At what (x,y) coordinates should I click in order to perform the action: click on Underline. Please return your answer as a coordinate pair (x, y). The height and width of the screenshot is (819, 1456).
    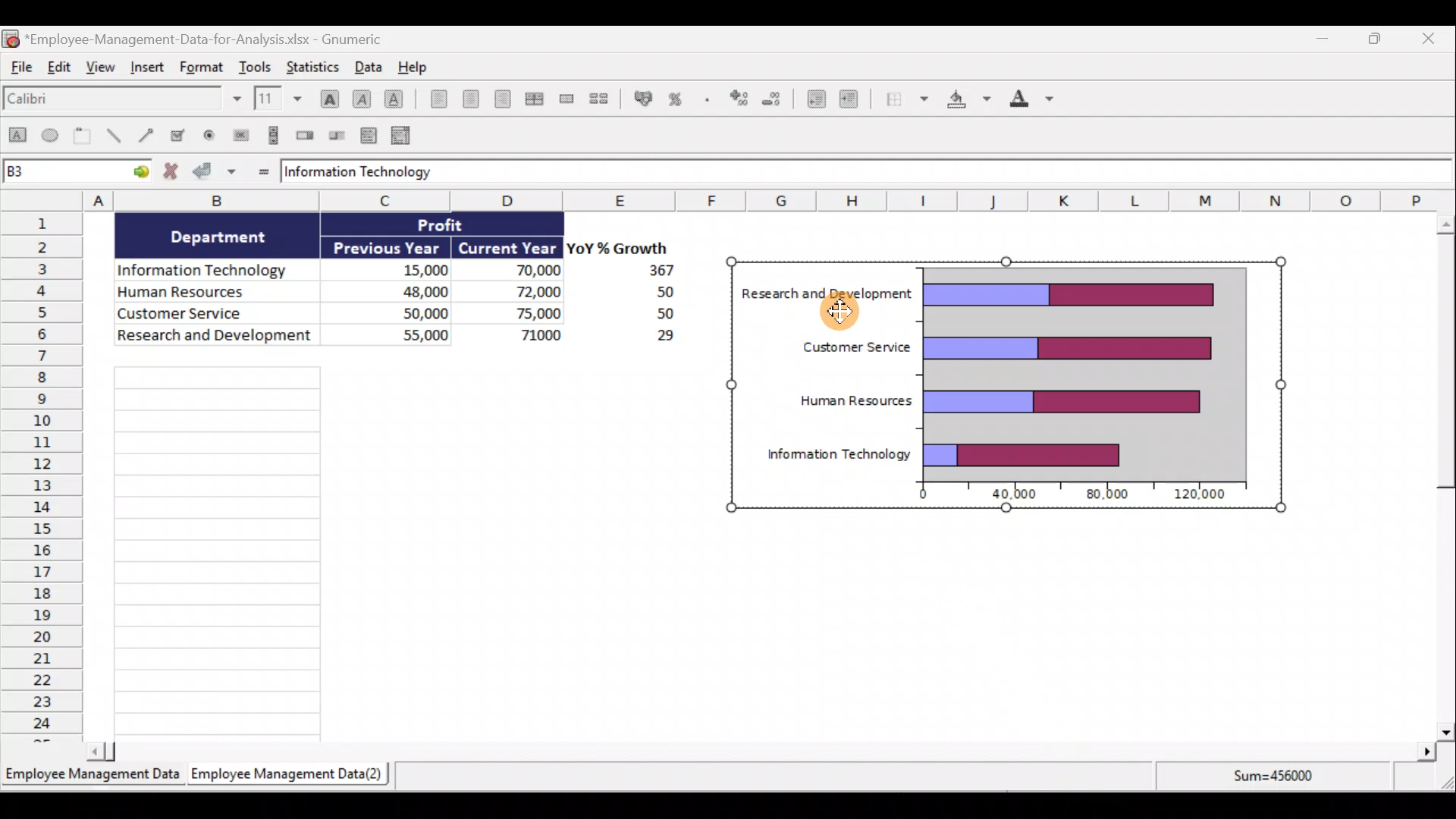
    Looking at the image, I should click on (394, 96).